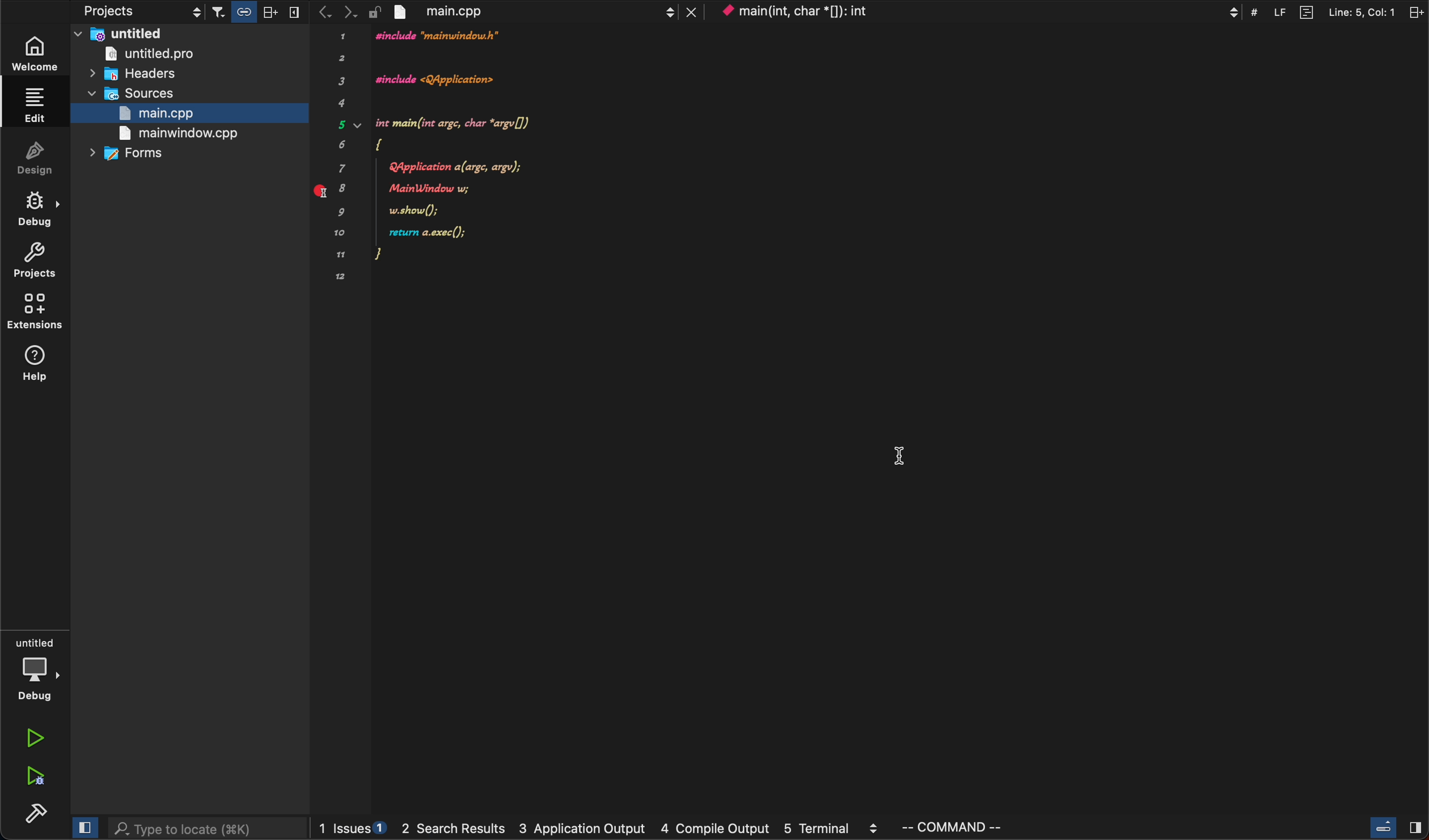  Describe the element at coordinates (83, 829) in the screenshot. I see `close slide bar` at that location.